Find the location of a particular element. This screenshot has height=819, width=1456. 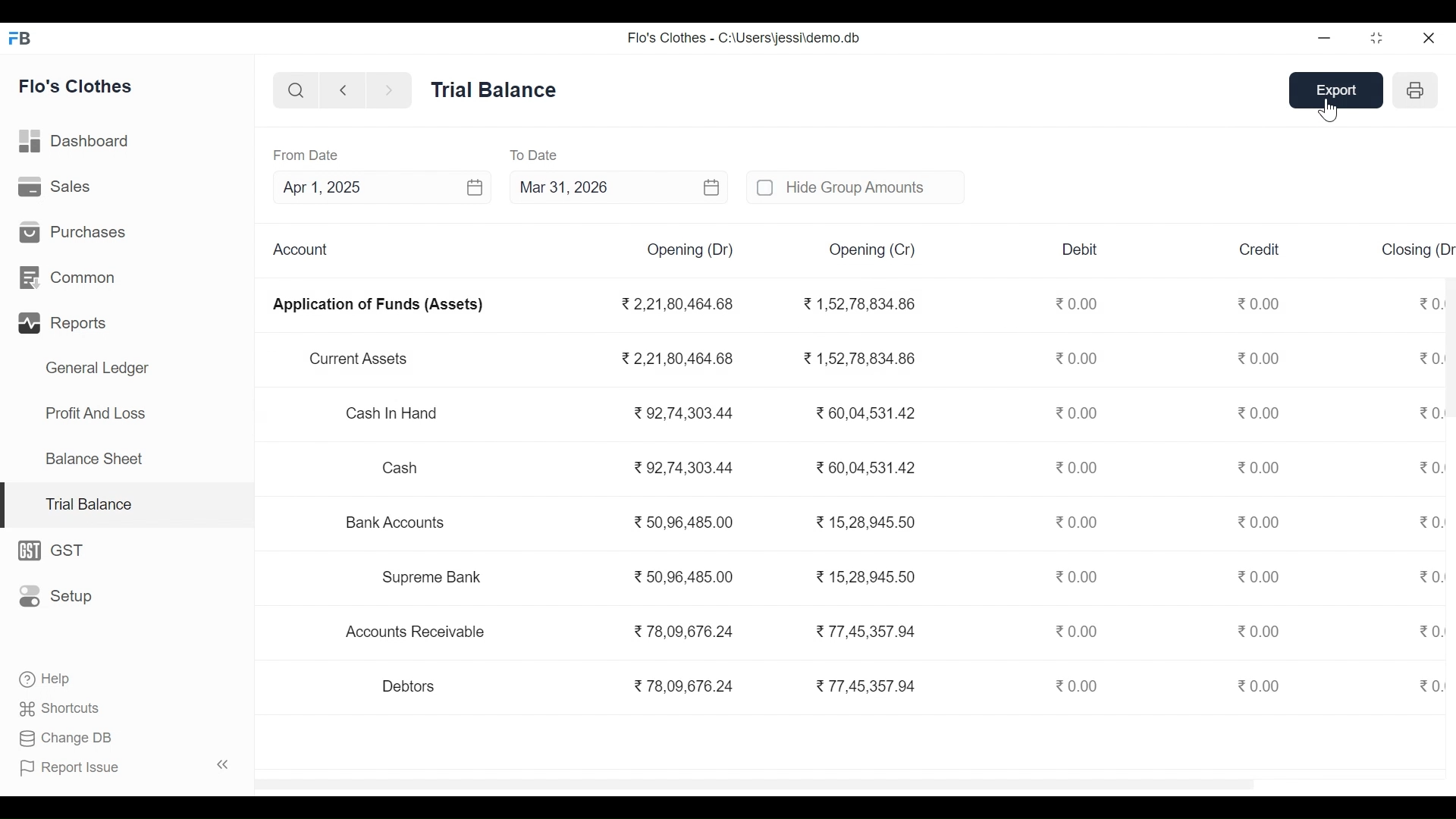

0.00 is located at coordinates (1075, 685).